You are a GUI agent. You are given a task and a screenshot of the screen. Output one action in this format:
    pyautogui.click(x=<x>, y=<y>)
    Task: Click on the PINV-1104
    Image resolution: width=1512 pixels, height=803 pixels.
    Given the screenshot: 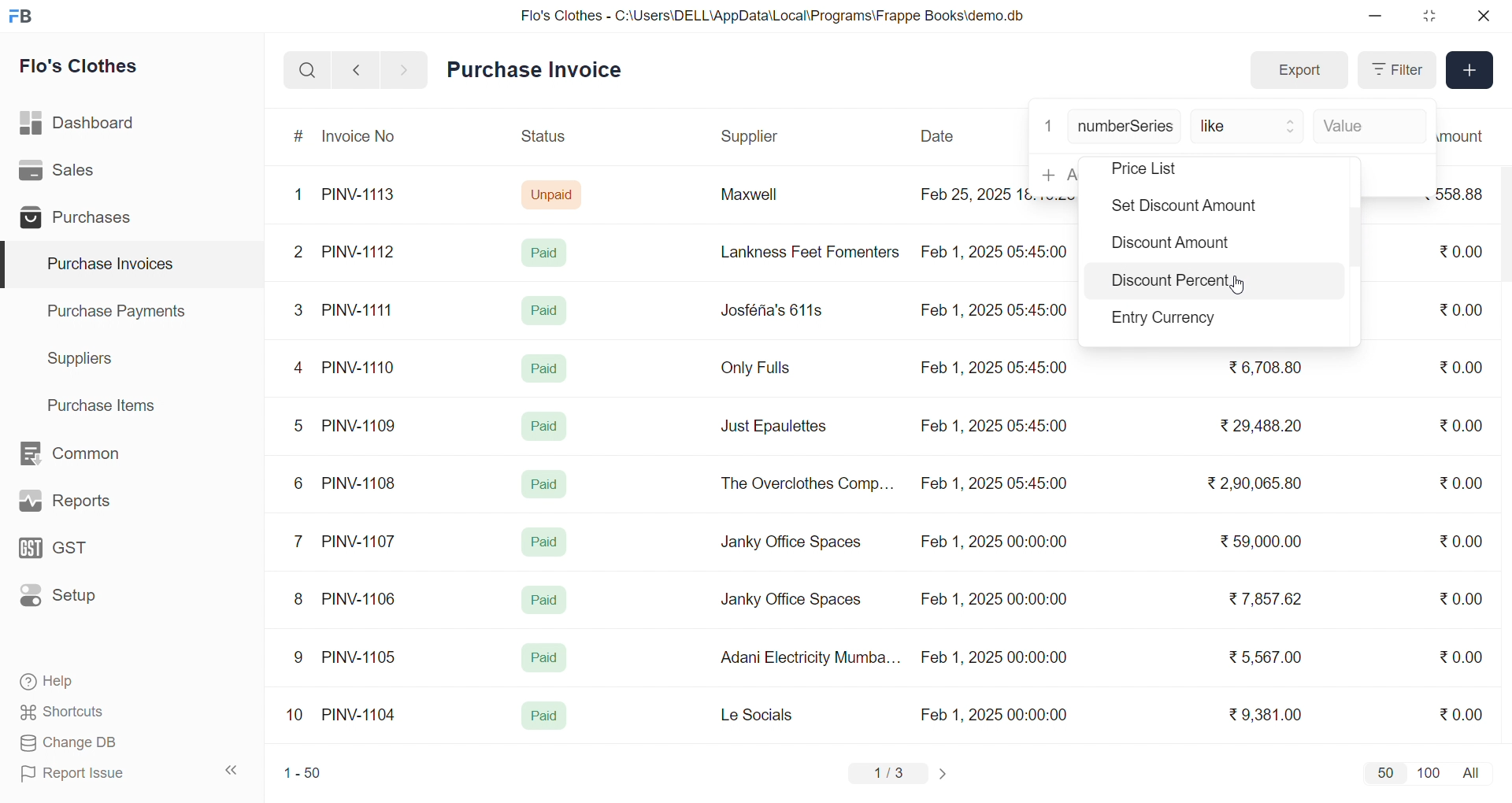 What is the action you would take?
    pyautogui.click(x=361, y=715)
    